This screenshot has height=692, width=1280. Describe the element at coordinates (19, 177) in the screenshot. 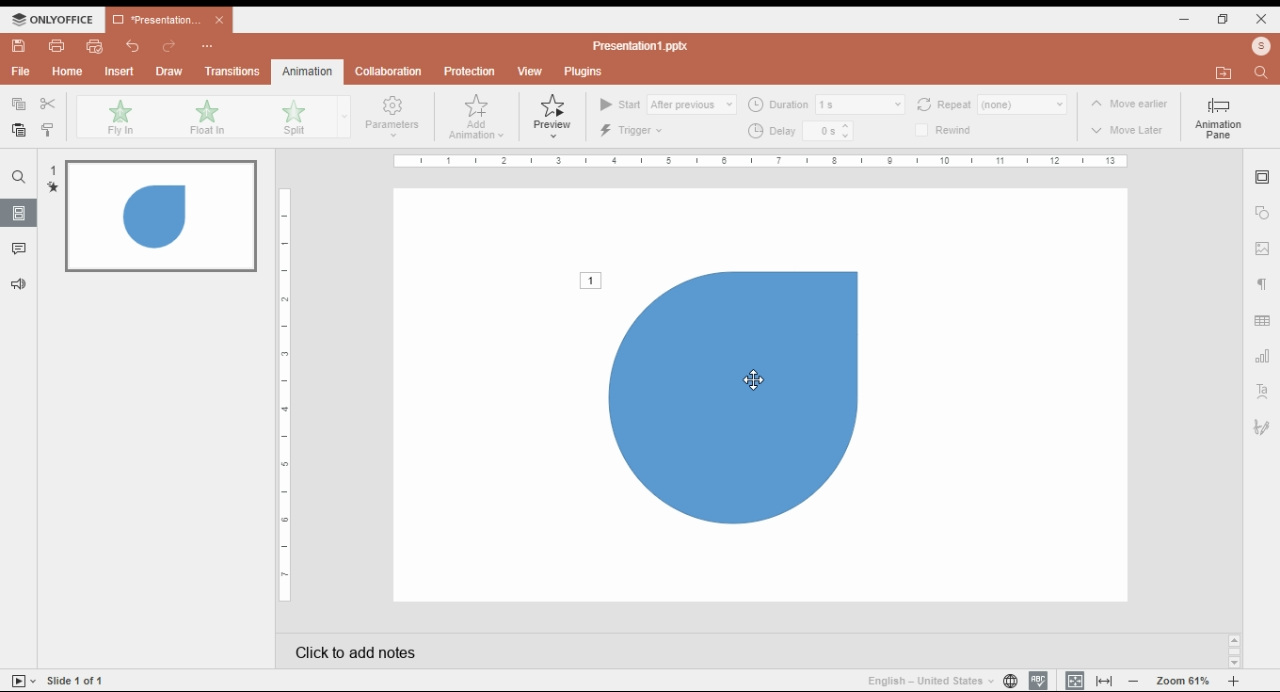

I see `find` at that location.